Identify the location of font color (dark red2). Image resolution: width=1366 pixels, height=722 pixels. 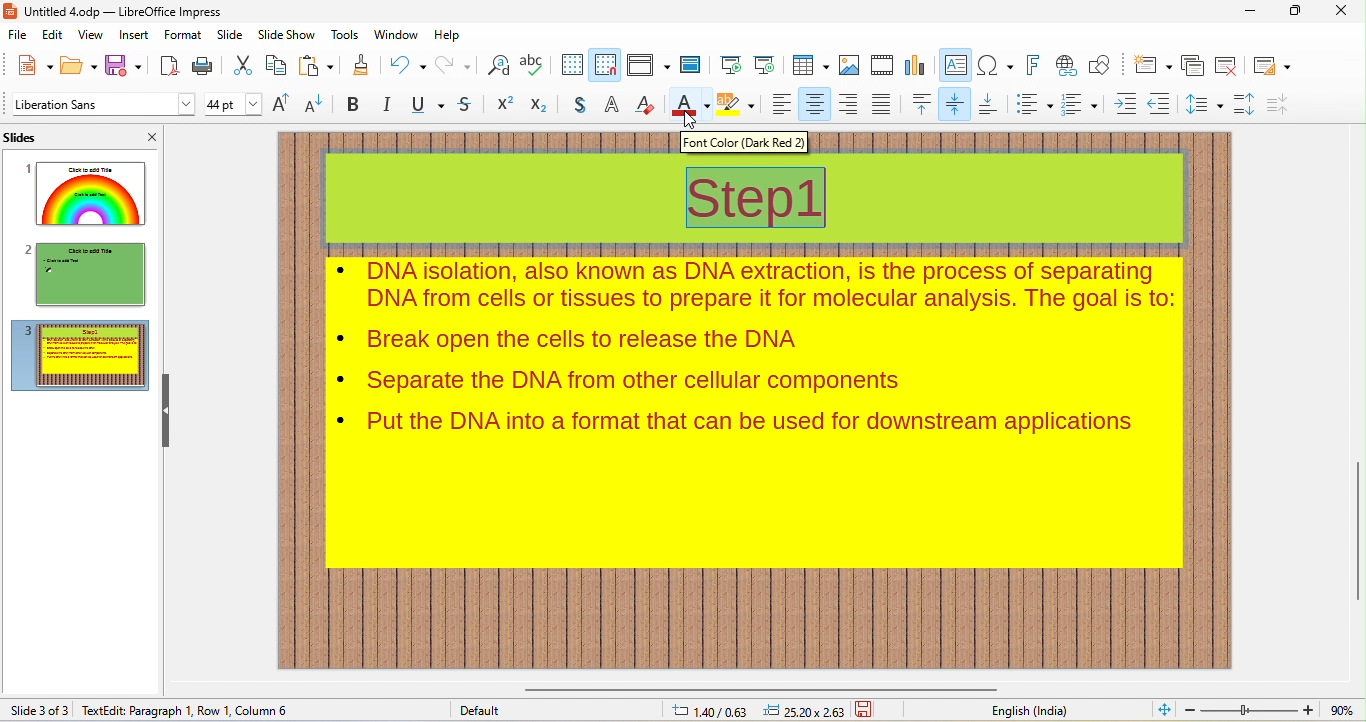
(748, 145).